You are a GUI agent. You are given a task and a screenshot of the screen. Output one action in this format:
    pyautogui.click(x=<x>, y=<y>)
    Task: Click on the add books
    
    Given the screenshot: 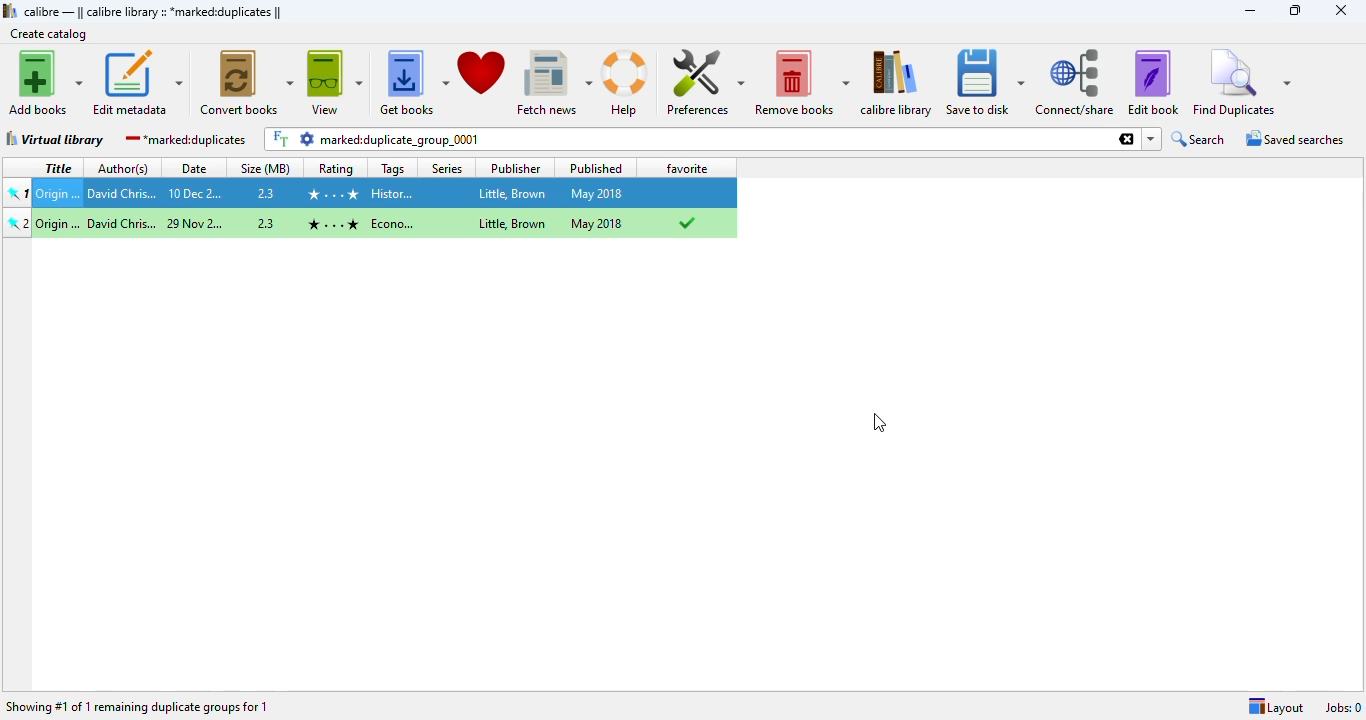 What is the action you would take?
    pyautogui.click(x=46, y=82)
    